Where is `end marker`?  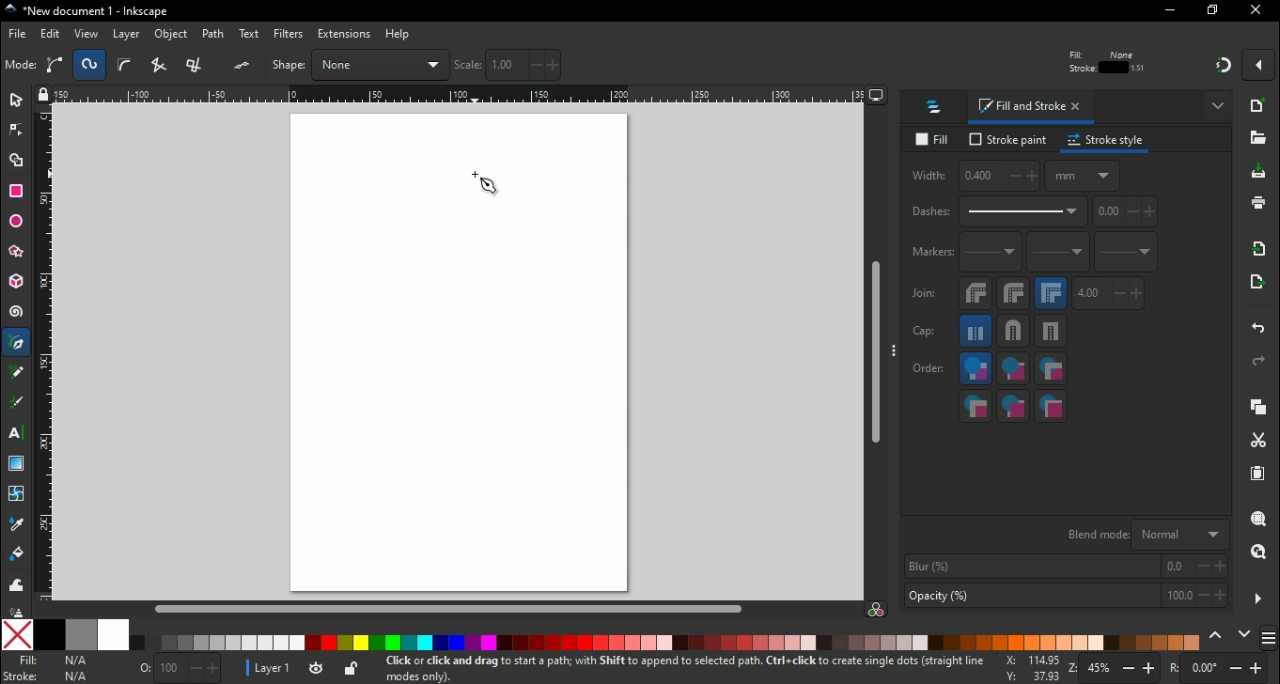
end marker is located at coordinates (1128, 255).